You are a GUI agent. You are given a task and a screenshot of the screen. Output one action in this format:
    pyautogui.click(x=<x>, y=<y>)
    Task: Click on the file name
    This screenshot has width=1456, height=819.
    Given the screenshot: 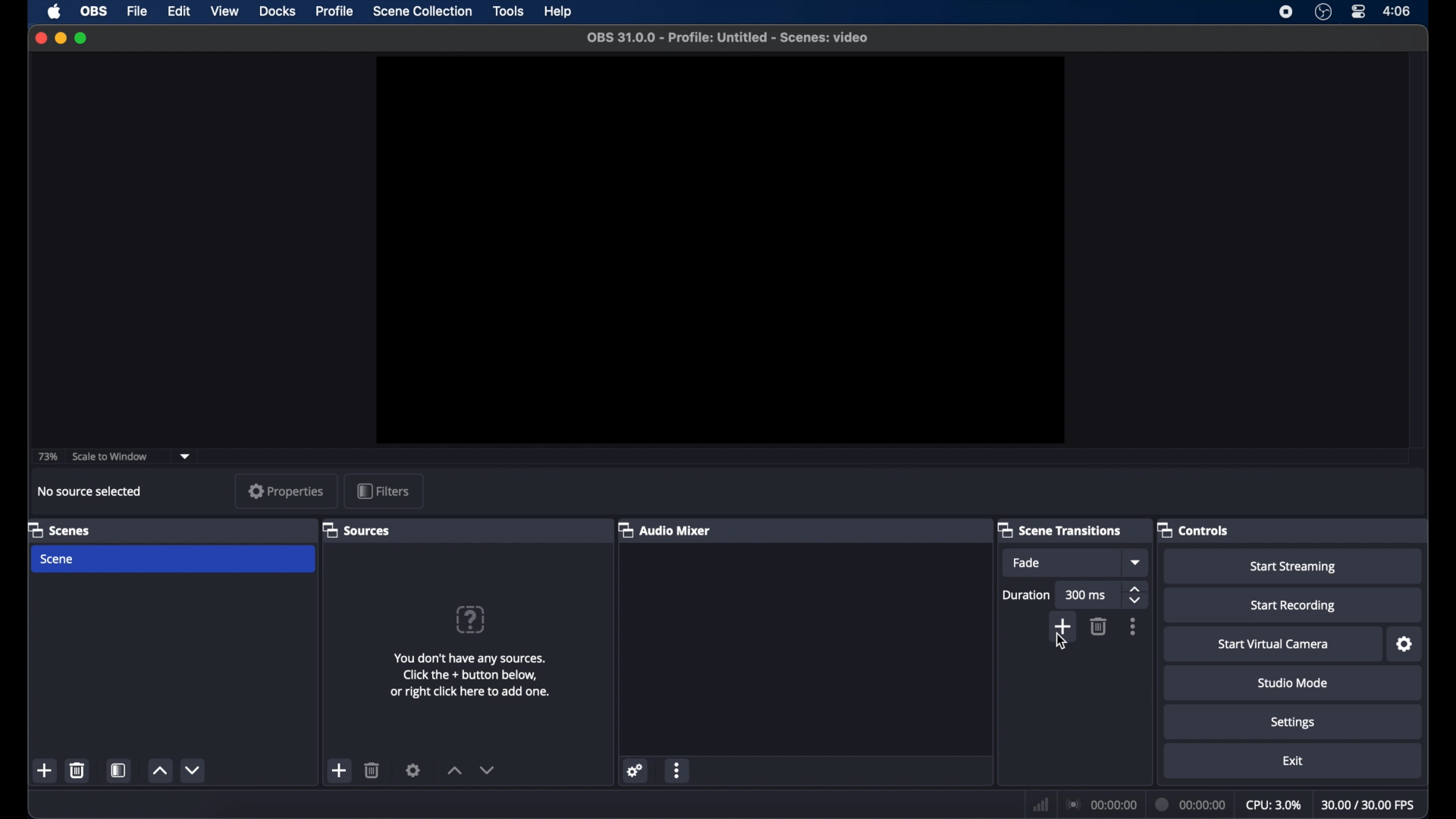 What is the action you would take?
    pyautogui.click(x=727, y=38)
    